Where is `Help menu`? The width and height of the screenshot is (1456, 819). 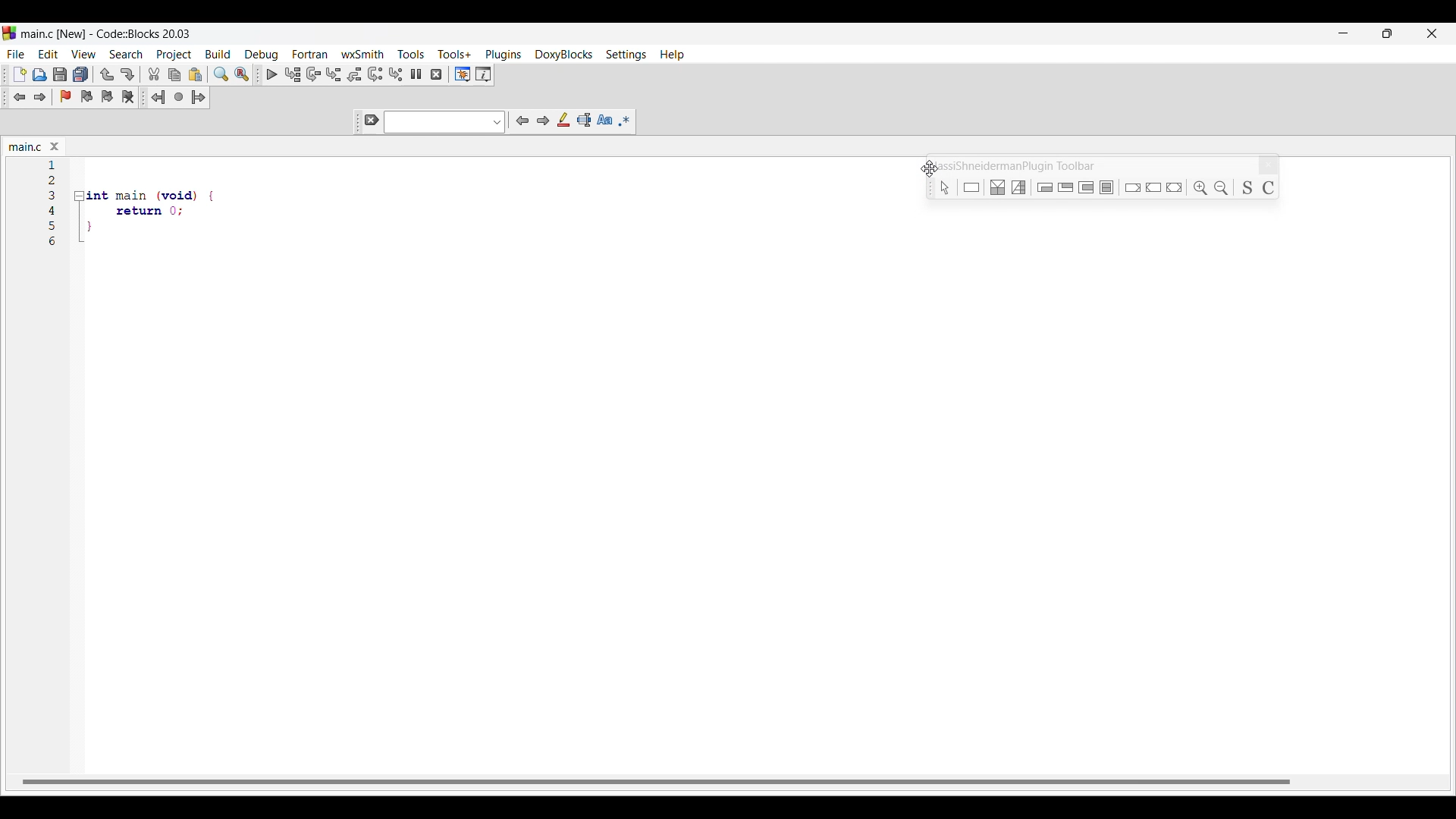
Help menu is located at coordinates (672, 55).